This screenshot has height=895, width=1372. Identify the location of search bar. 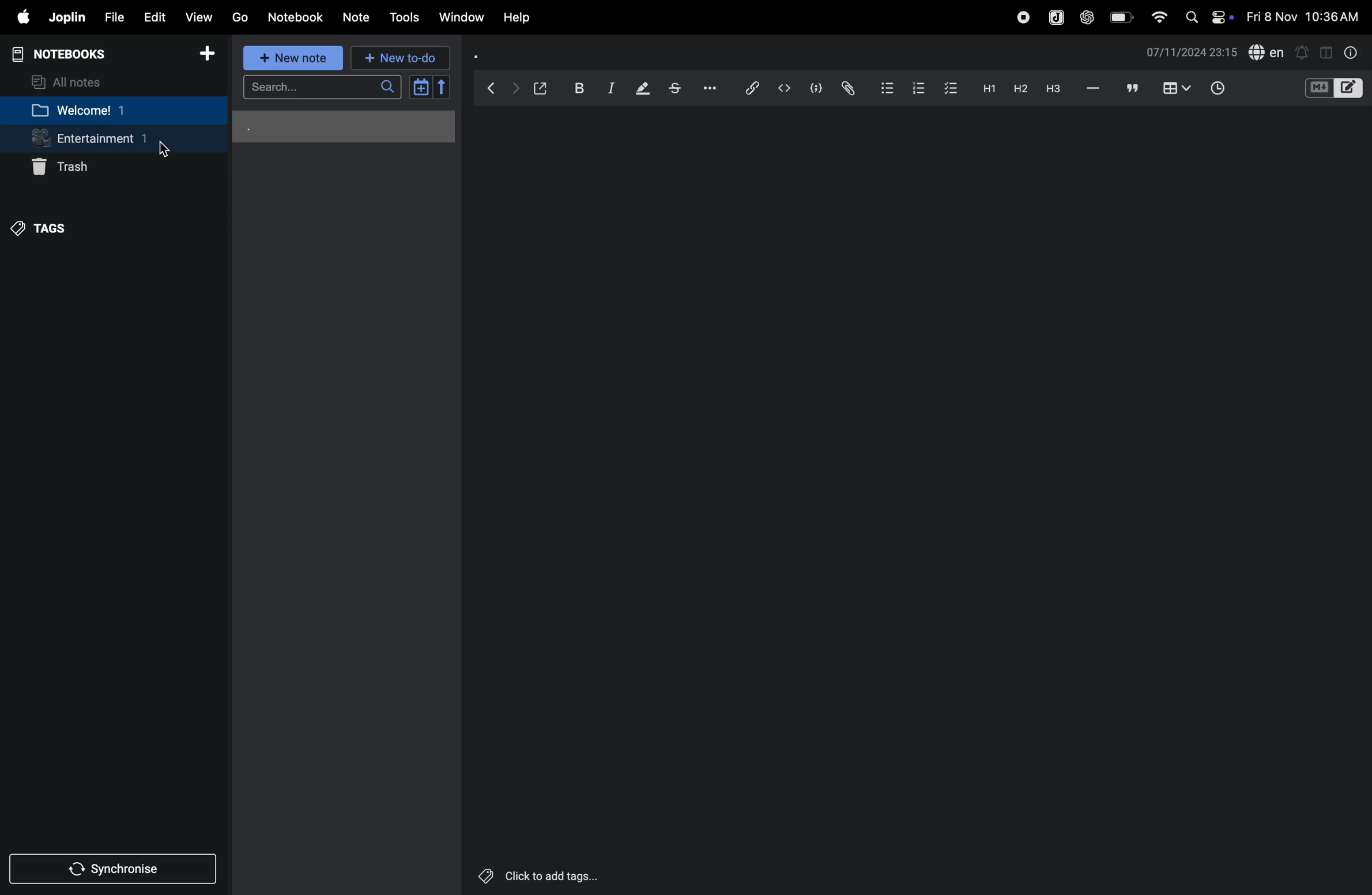
(319, 88).